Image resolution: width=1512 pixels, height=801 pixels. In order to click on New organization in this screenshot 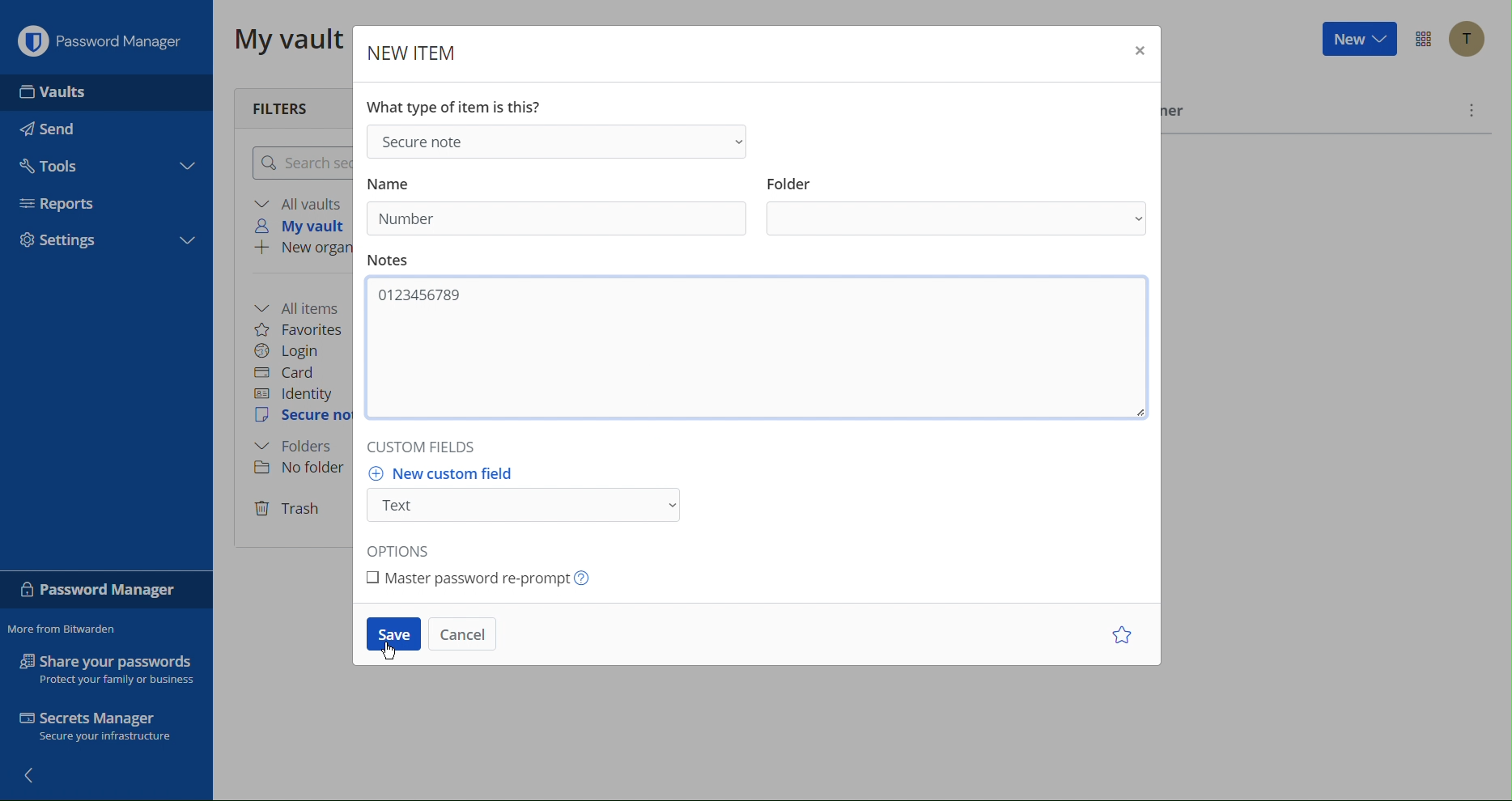, I will do `click(302, 249)`.